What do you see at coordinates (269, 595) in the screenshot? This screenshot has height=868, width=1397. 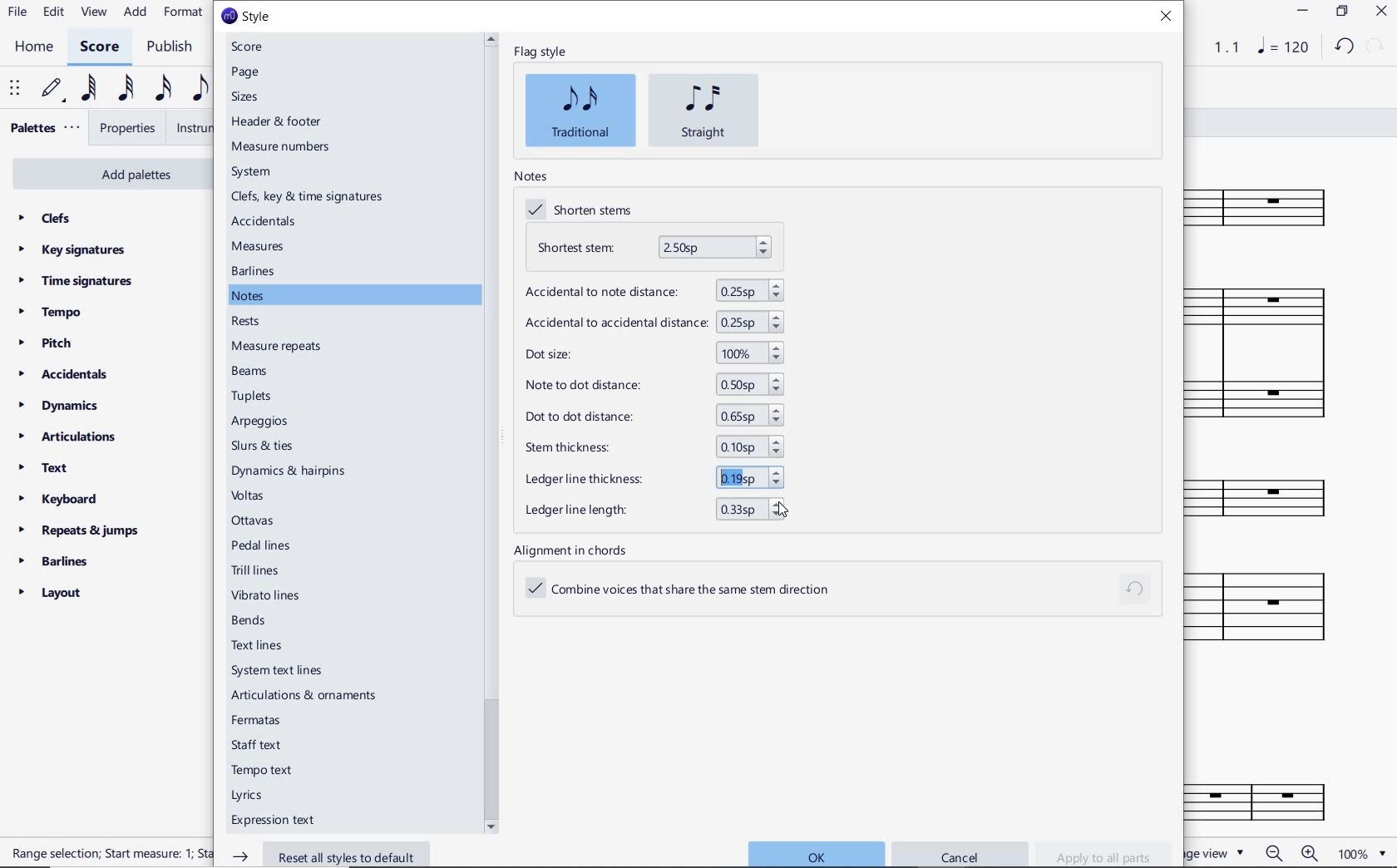 I see `vibrato lines` at bounding box center [269, 595].